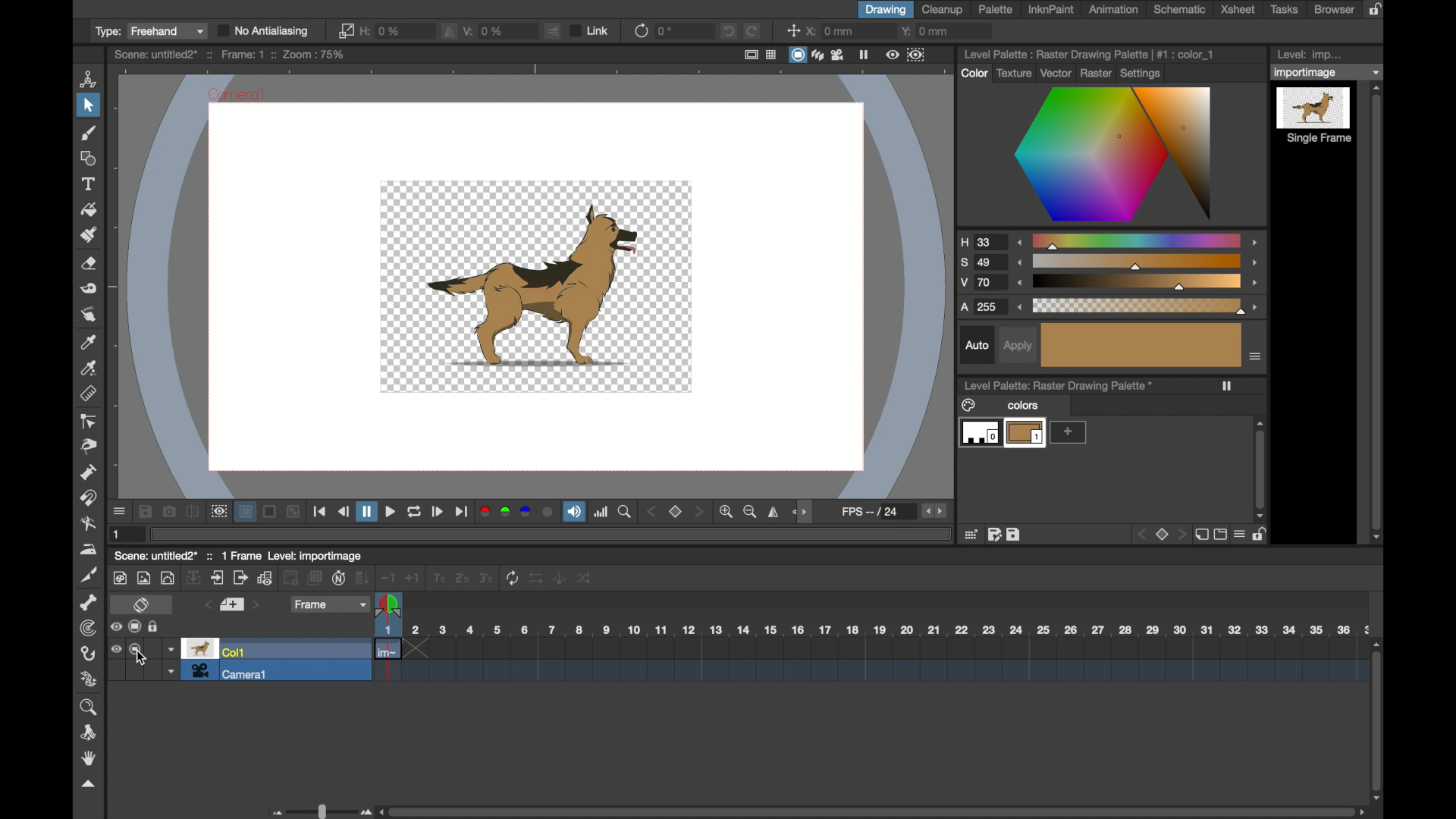 This screenshot has height=819, width=1456. What do you see at coordinates (640, 31) in the screenshot?
I see `refresh` at bounding box center [640, 31].